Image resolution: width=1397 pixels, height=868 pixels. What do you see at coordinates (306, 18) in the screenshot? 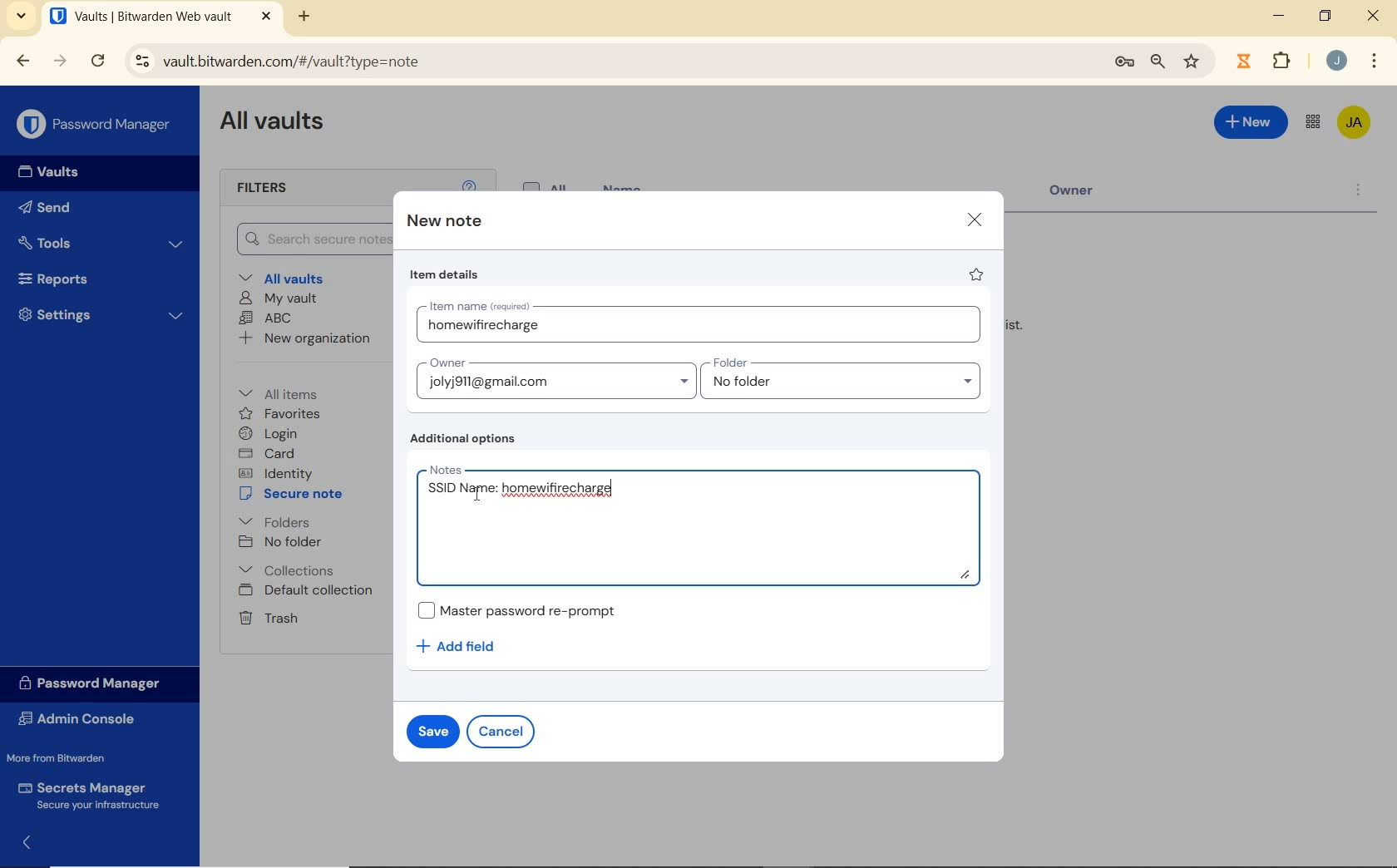
I see `new tab` at bounding box center [306, 18].